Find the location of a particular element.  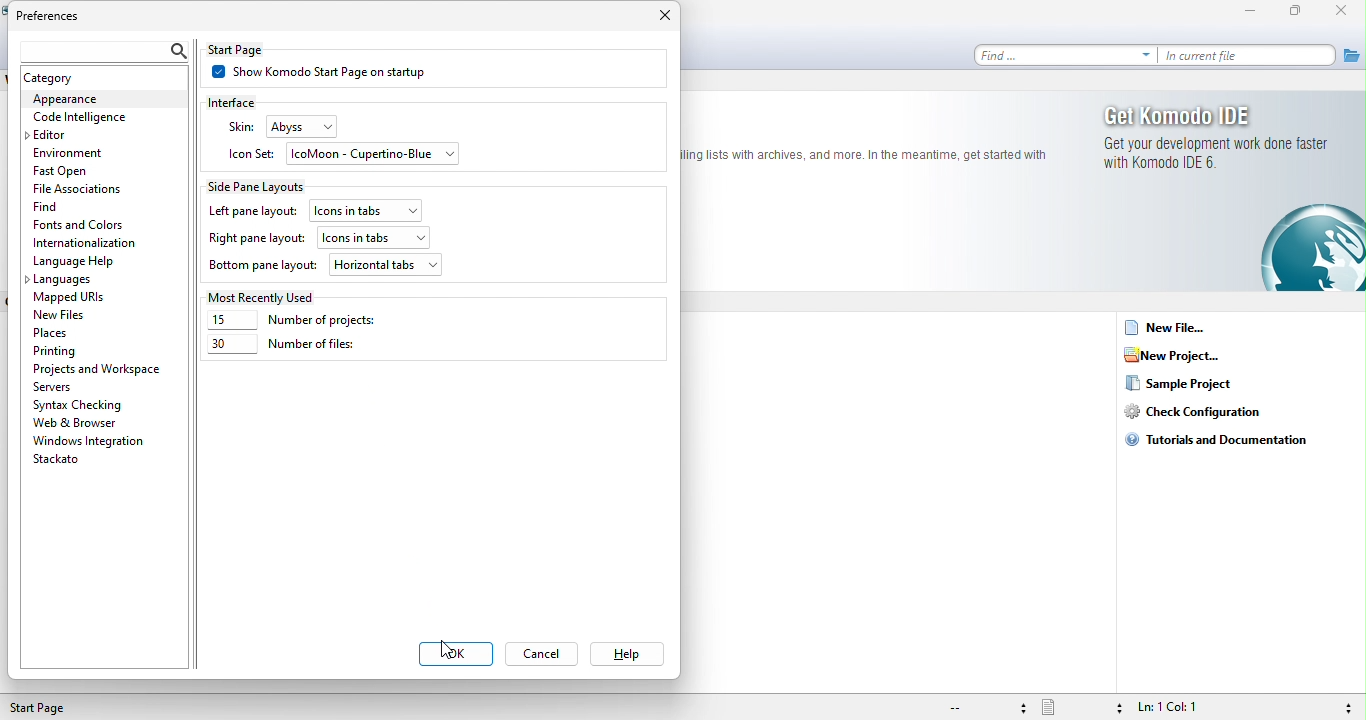

new project is located at coordinates (1179, 356).